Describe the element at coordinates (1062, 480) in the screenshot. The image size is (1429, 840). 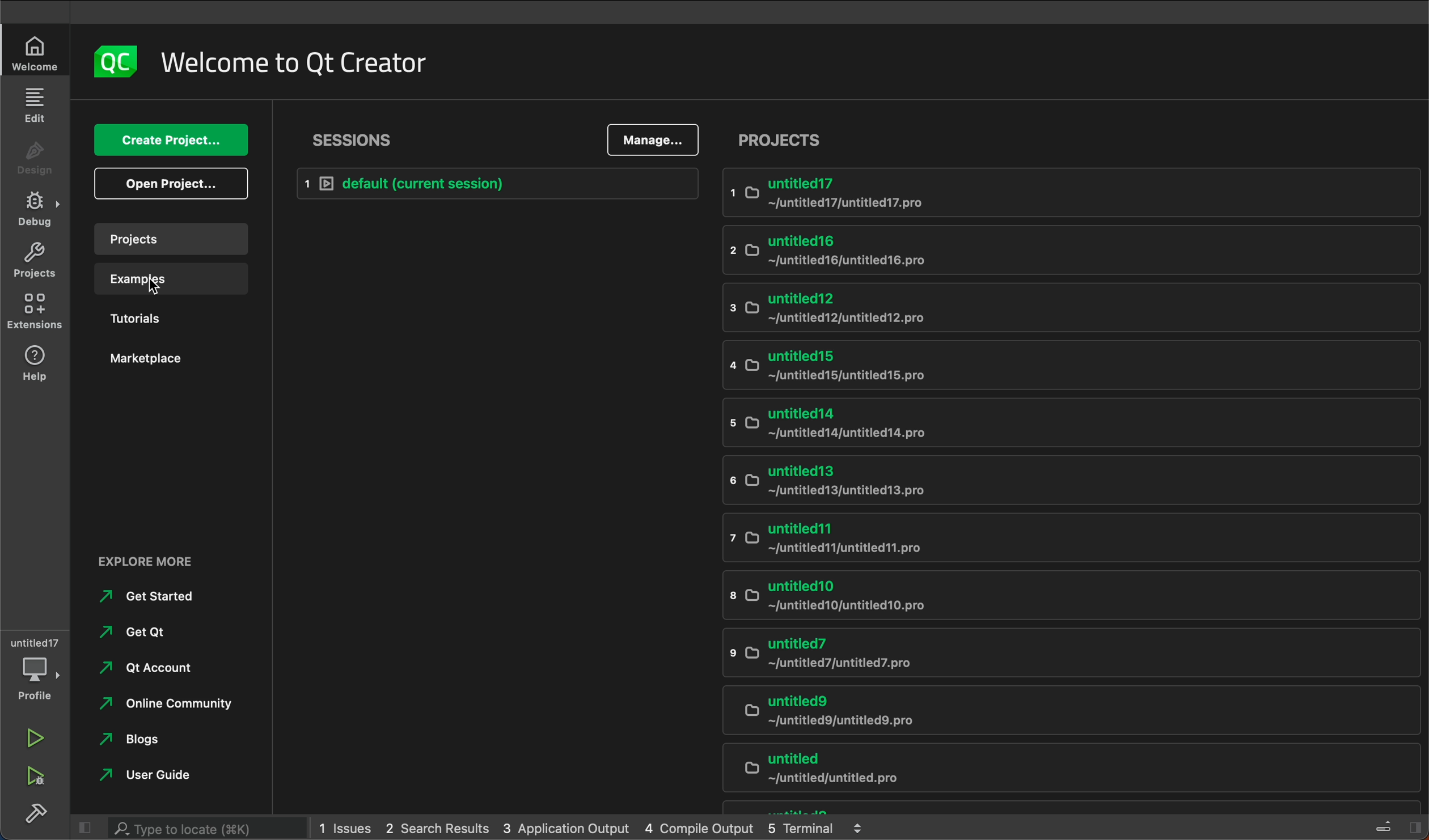
I see `untitled13` at that location.